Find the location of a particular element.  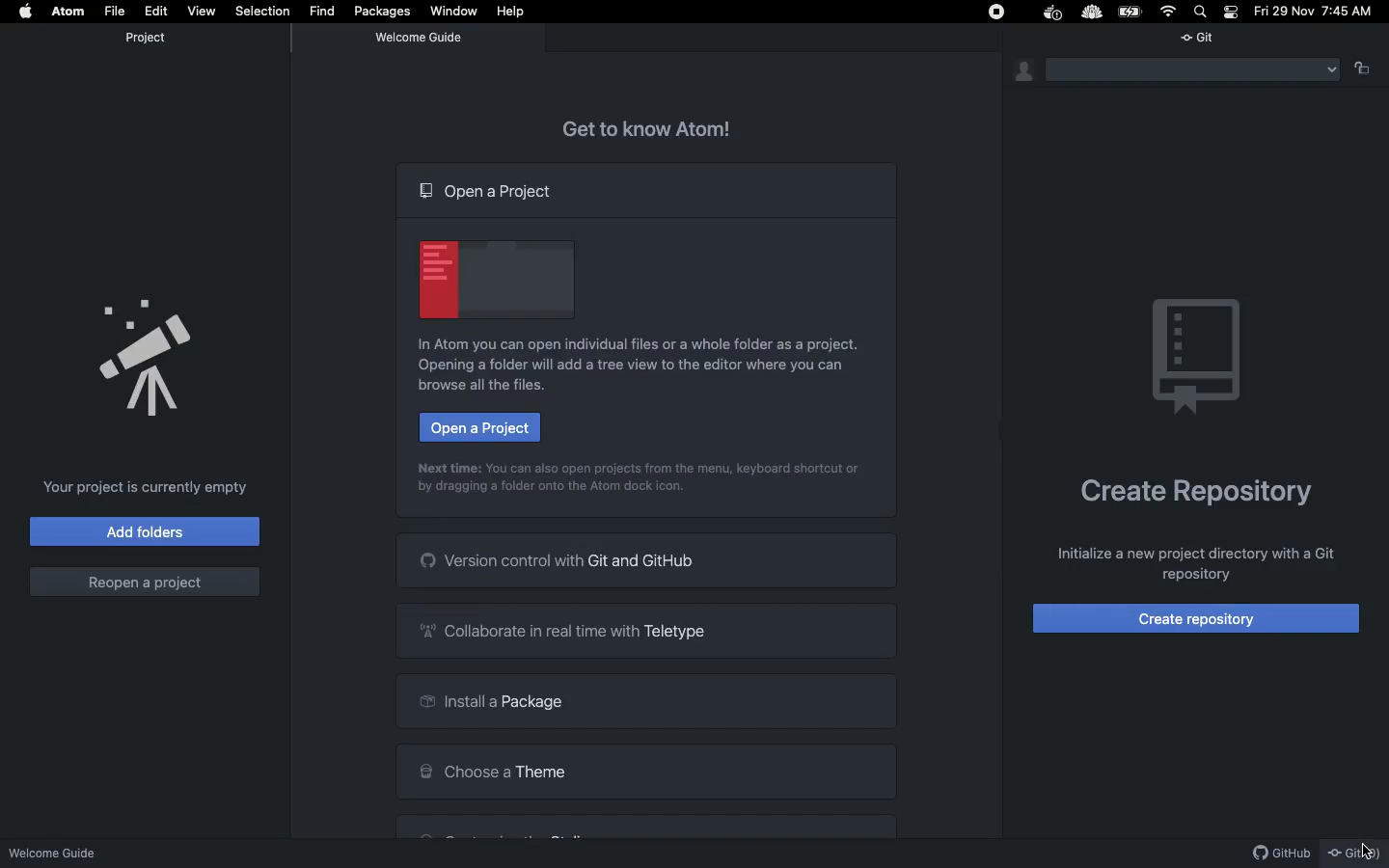

View is located at coordinates (199, 10).